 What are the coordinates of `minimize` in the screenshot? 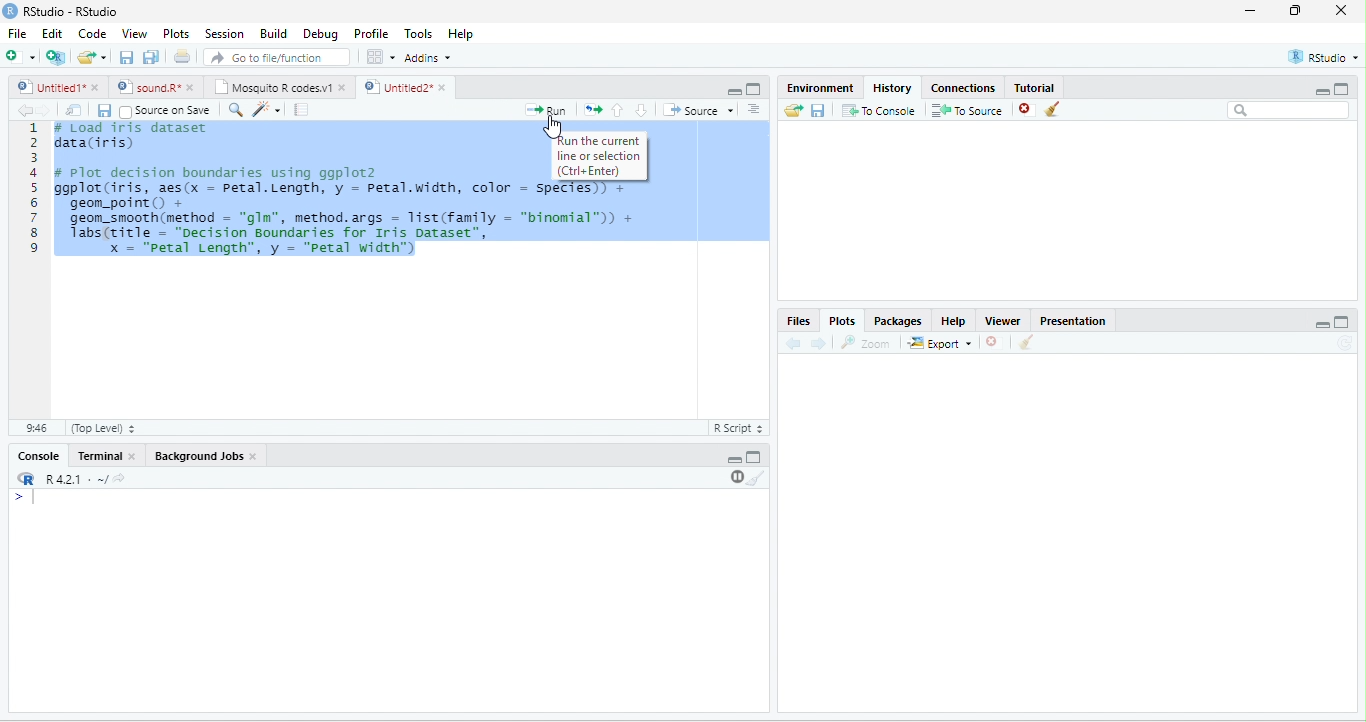 It's located at (1251, 10).